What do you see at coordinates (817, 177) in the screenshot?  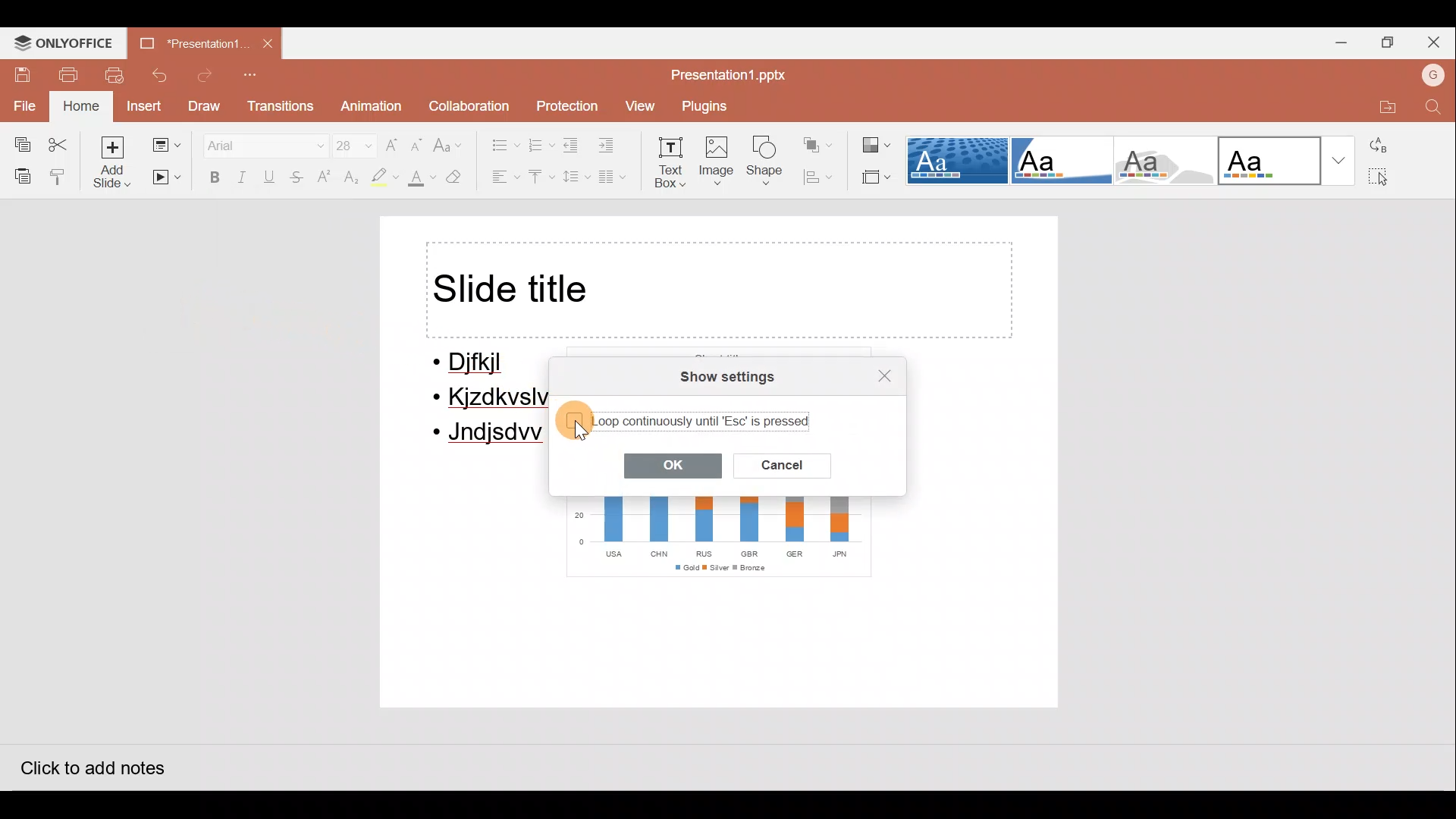 I see `Align shape` at bounding box center [817, 177].